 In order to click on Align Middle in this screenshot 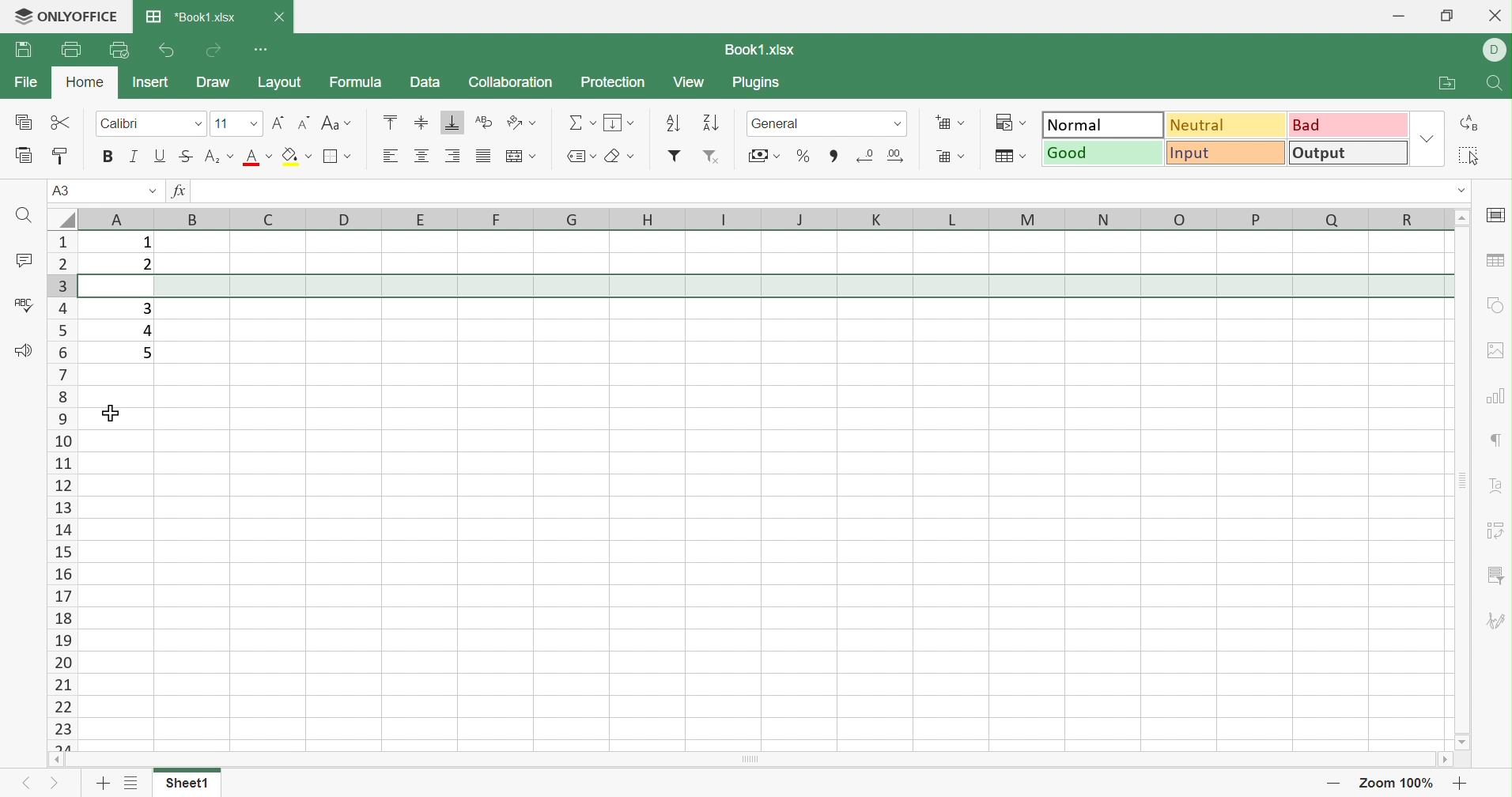, I will do `click(421, 122)`.